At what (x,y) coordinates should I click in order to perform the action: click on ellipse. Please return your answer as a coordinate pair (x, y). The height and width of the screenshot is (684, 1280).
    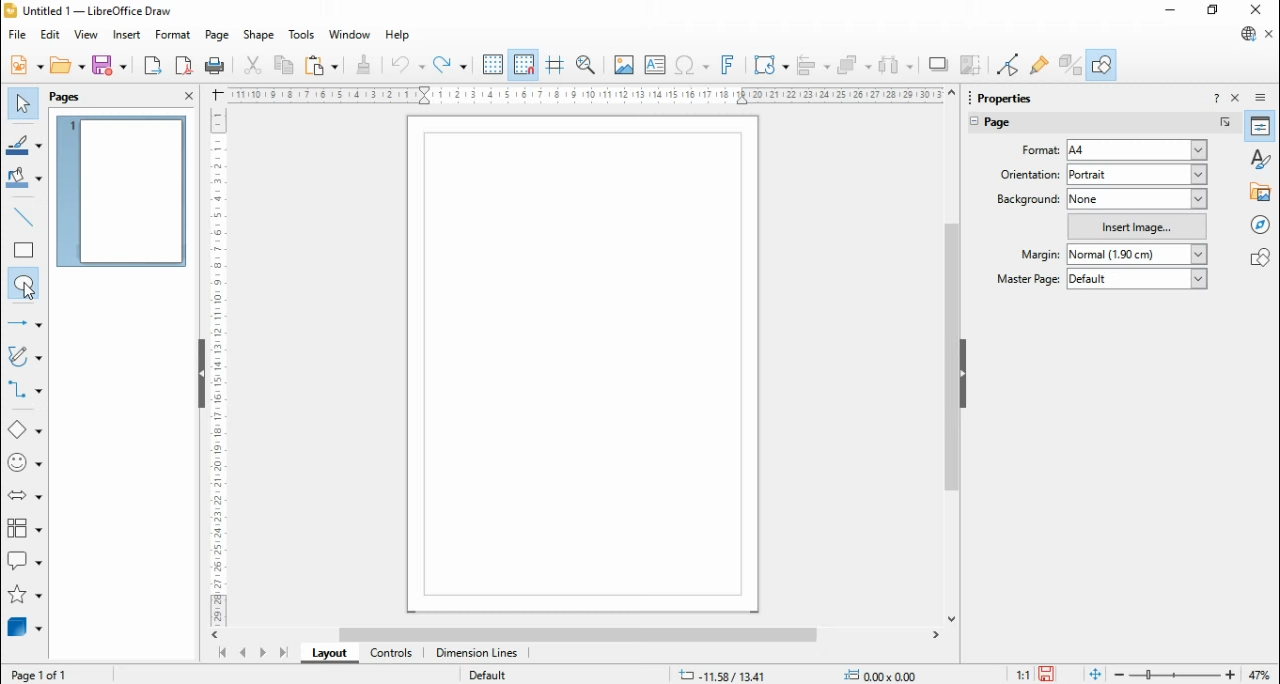
    Looking at the image, I should click on (25, 284).